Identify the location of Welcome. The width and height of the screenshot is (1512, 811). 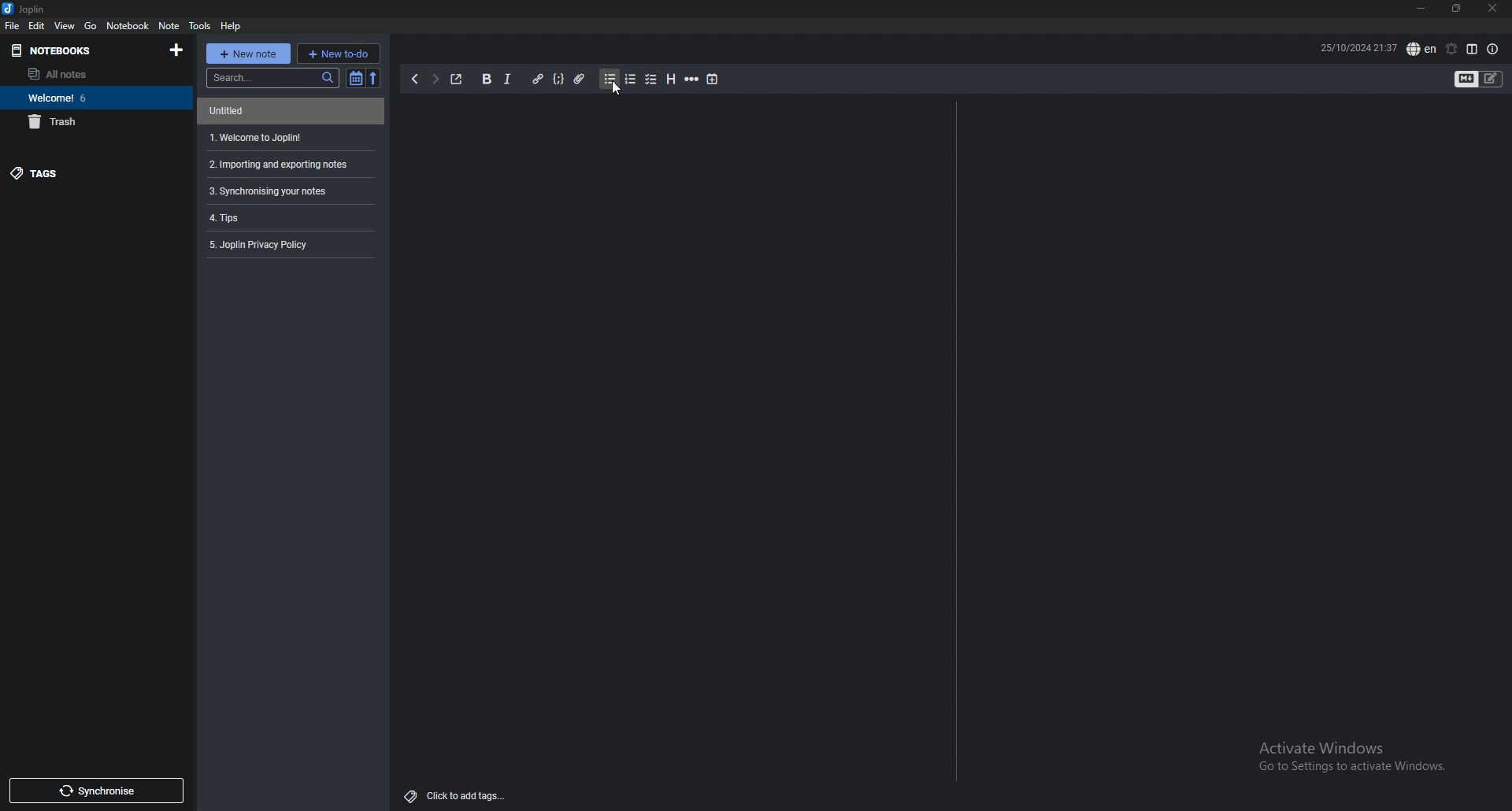
(53, 98).